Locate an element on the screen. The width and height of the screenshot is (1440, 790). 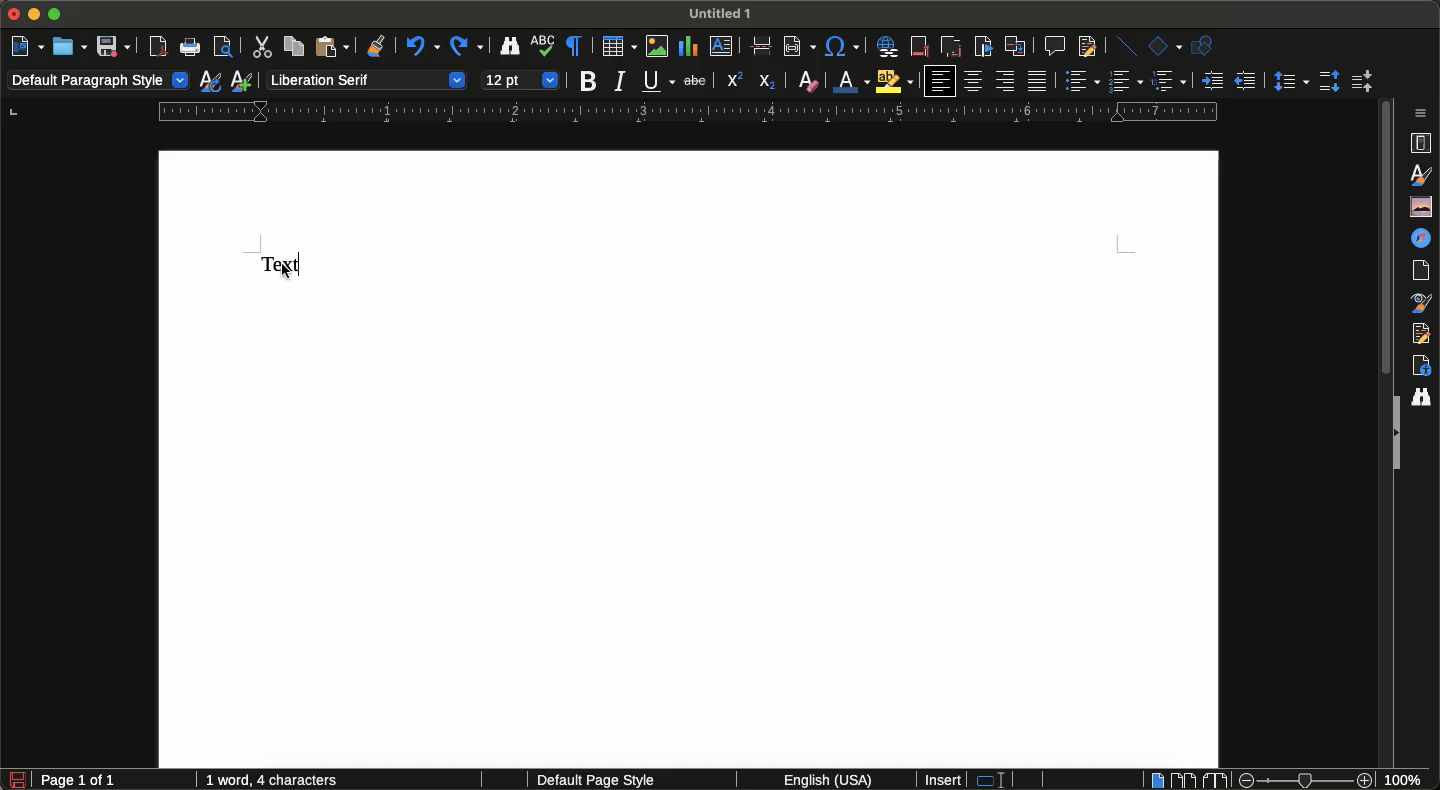
Insert line is located at coordinates (1127, 45).